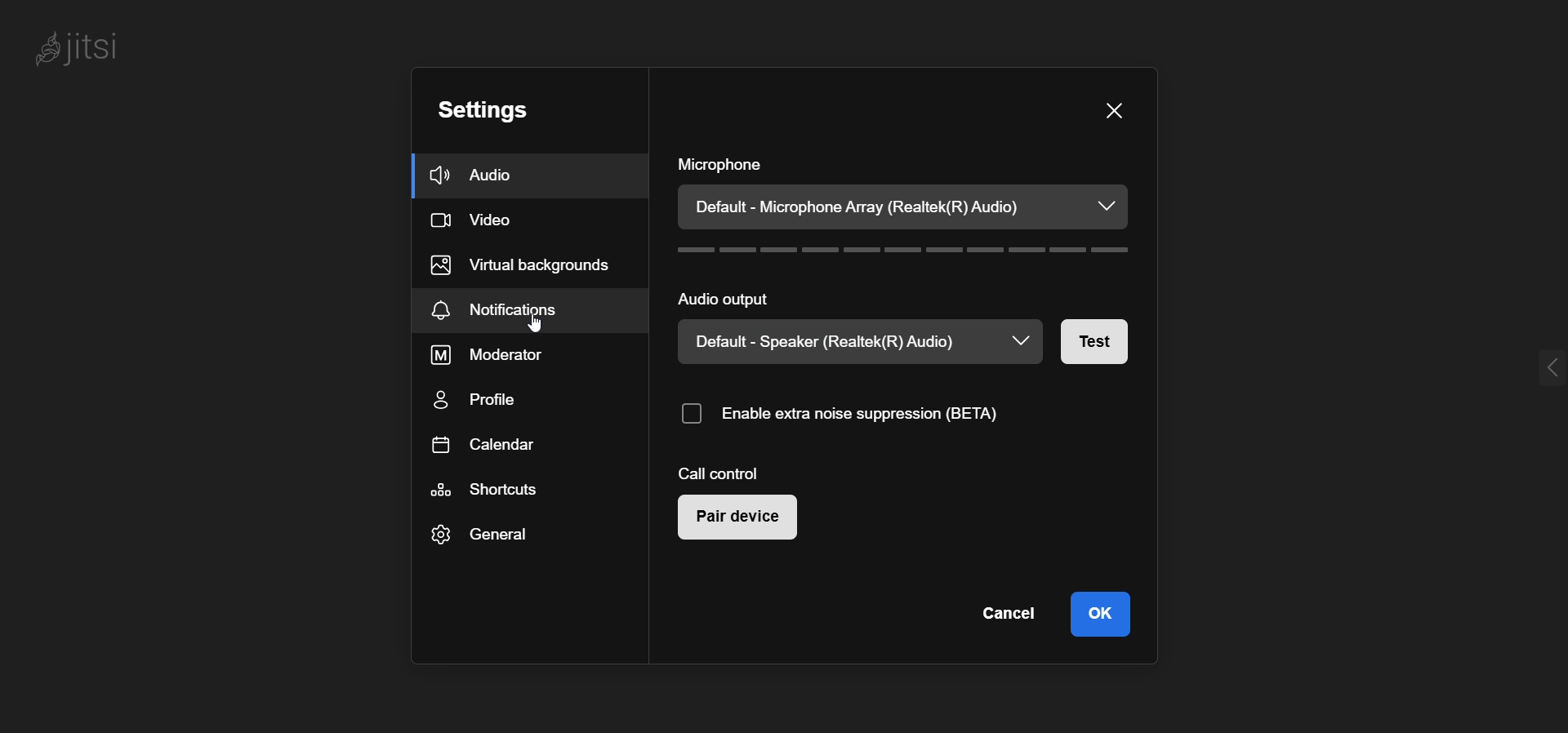 The width and height of the screenshot is (1568, 733). What do you see at coordinates (1003, 617) in the screenshot?
I see `cancel` at bounding box center [1003, 617].